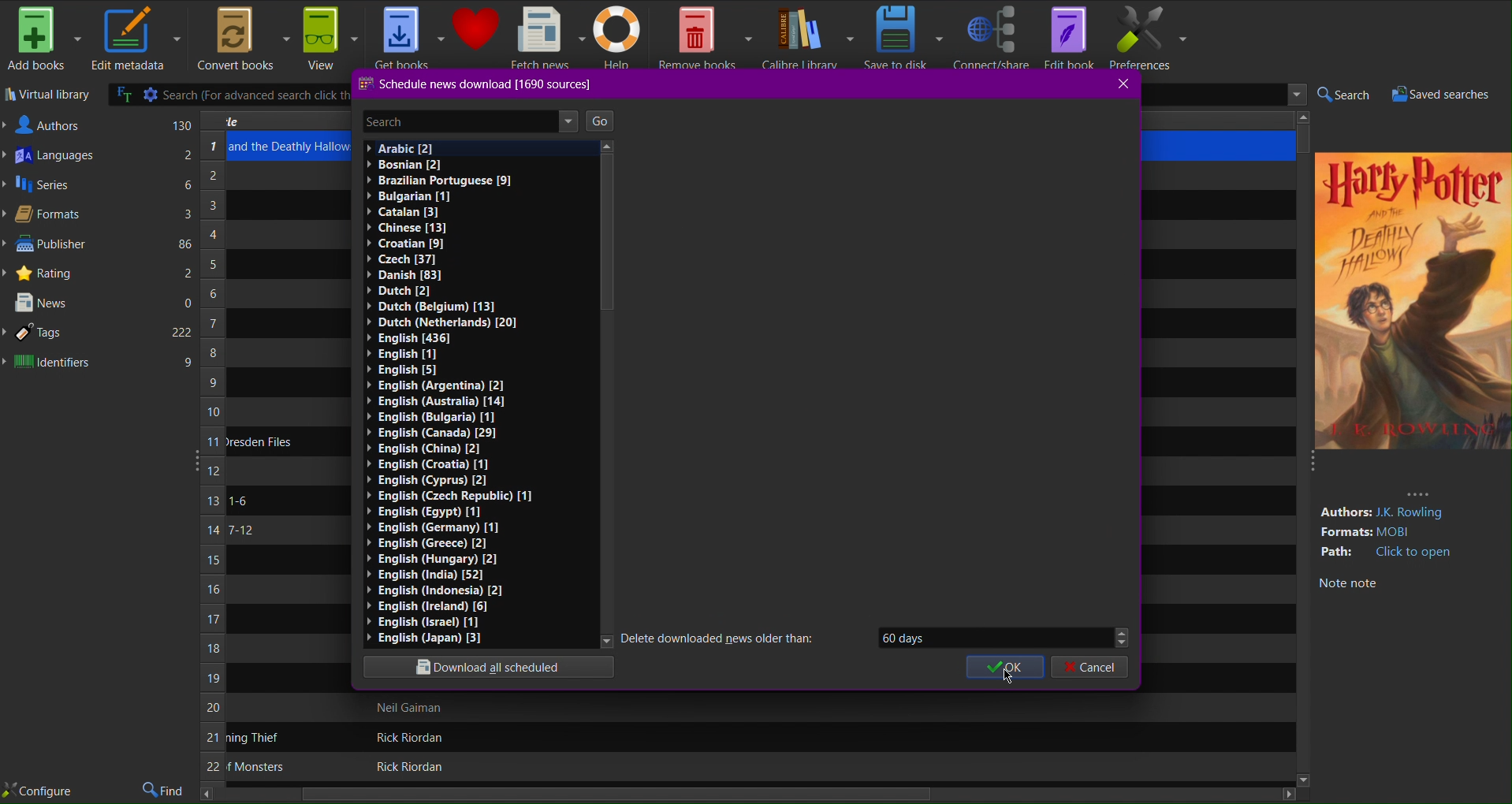 Image resolution: width=1512 pixels, height=804 pixels. Describe the element at coordinates (330, 38) in the screenshot. I see `View` at that location.